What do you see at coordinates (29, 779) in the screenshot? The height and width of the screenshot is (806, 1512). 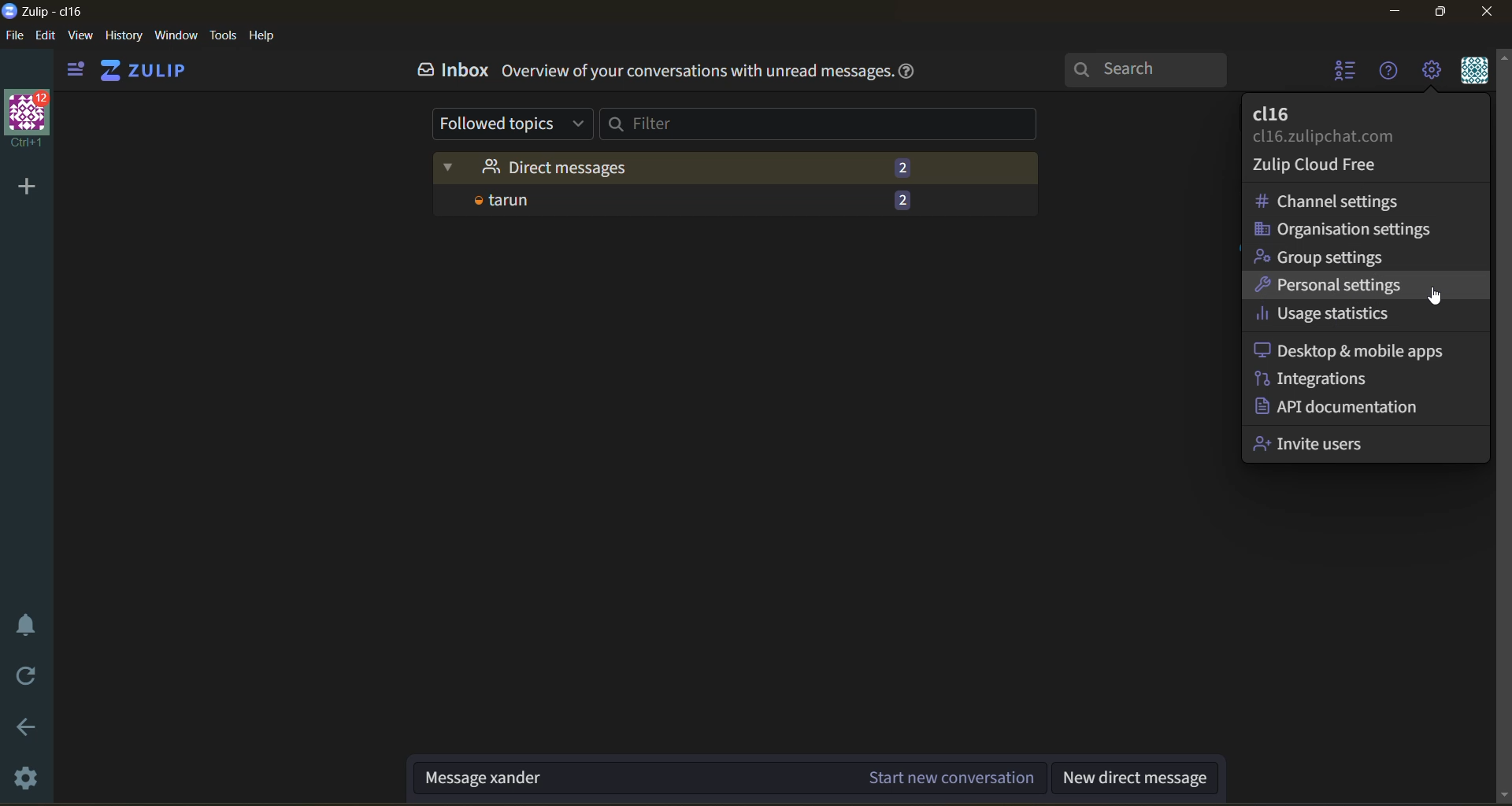 I see `settings` at bounding box center [29, 779].